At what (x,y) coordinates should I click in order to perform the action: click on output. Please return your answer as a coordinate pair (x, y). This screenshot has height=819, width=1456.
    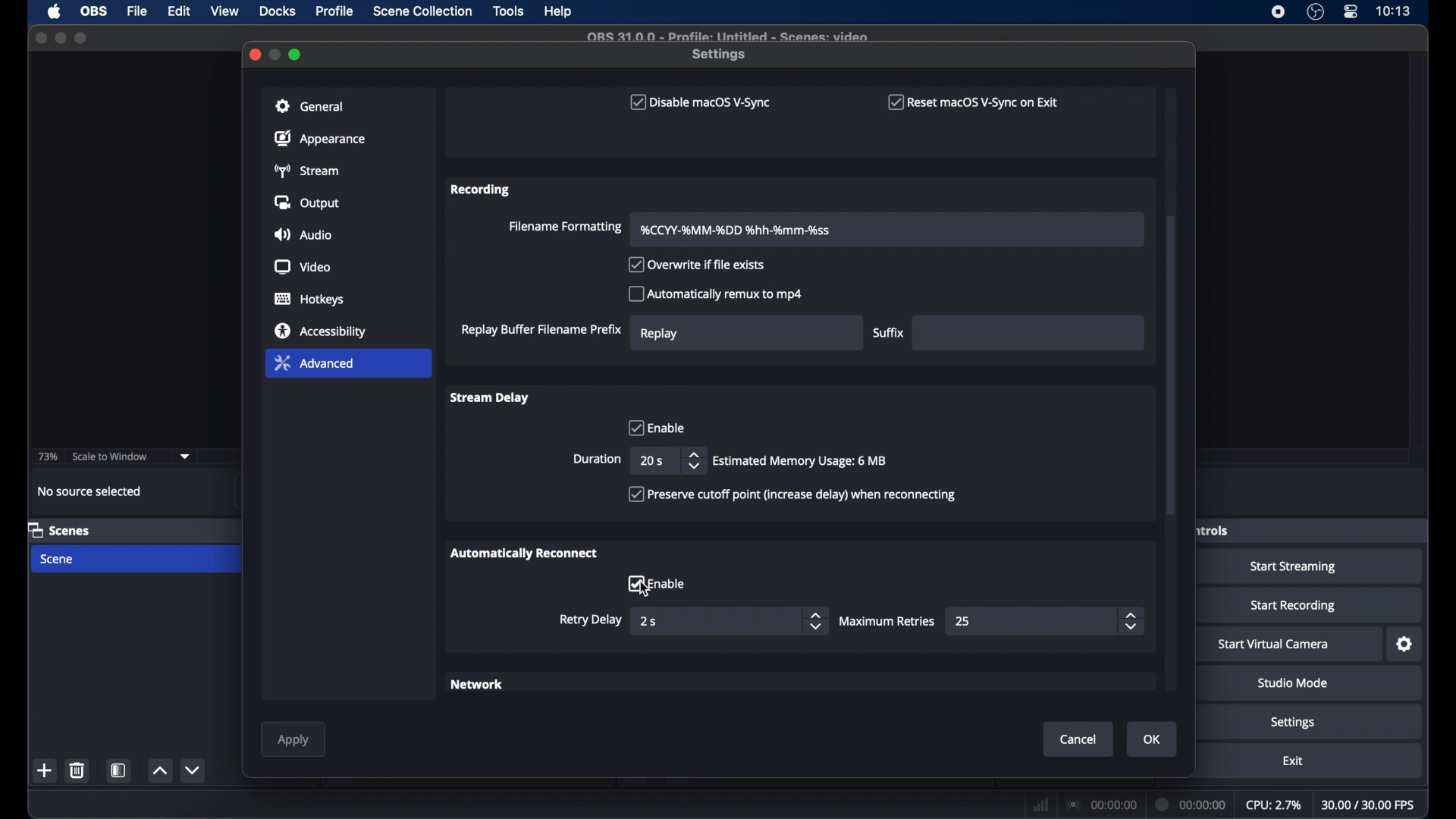
    Looking at the image, I should click on (309, 202).